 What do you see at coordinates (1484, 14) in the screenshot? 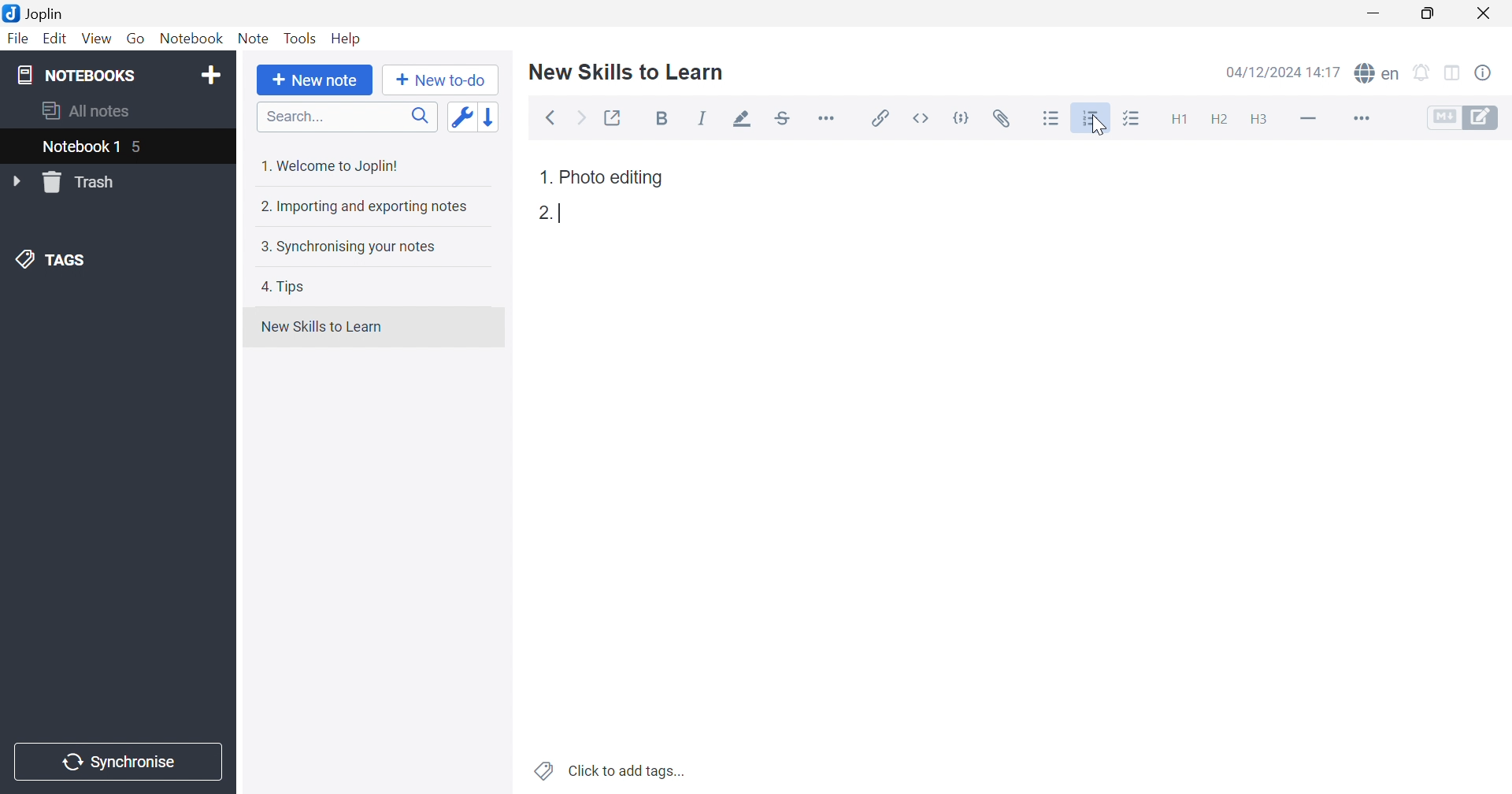
I see `Close` at bounding box center [1484, 14].